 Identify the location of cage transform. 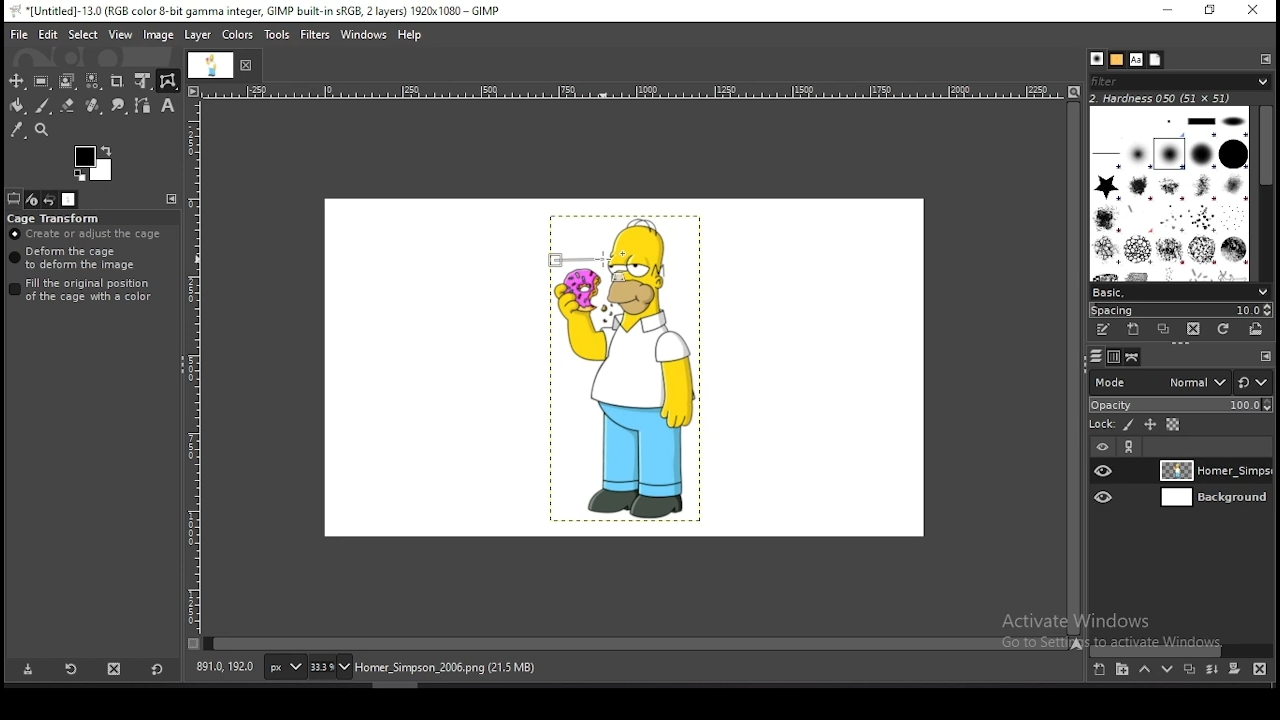
(168, 81).